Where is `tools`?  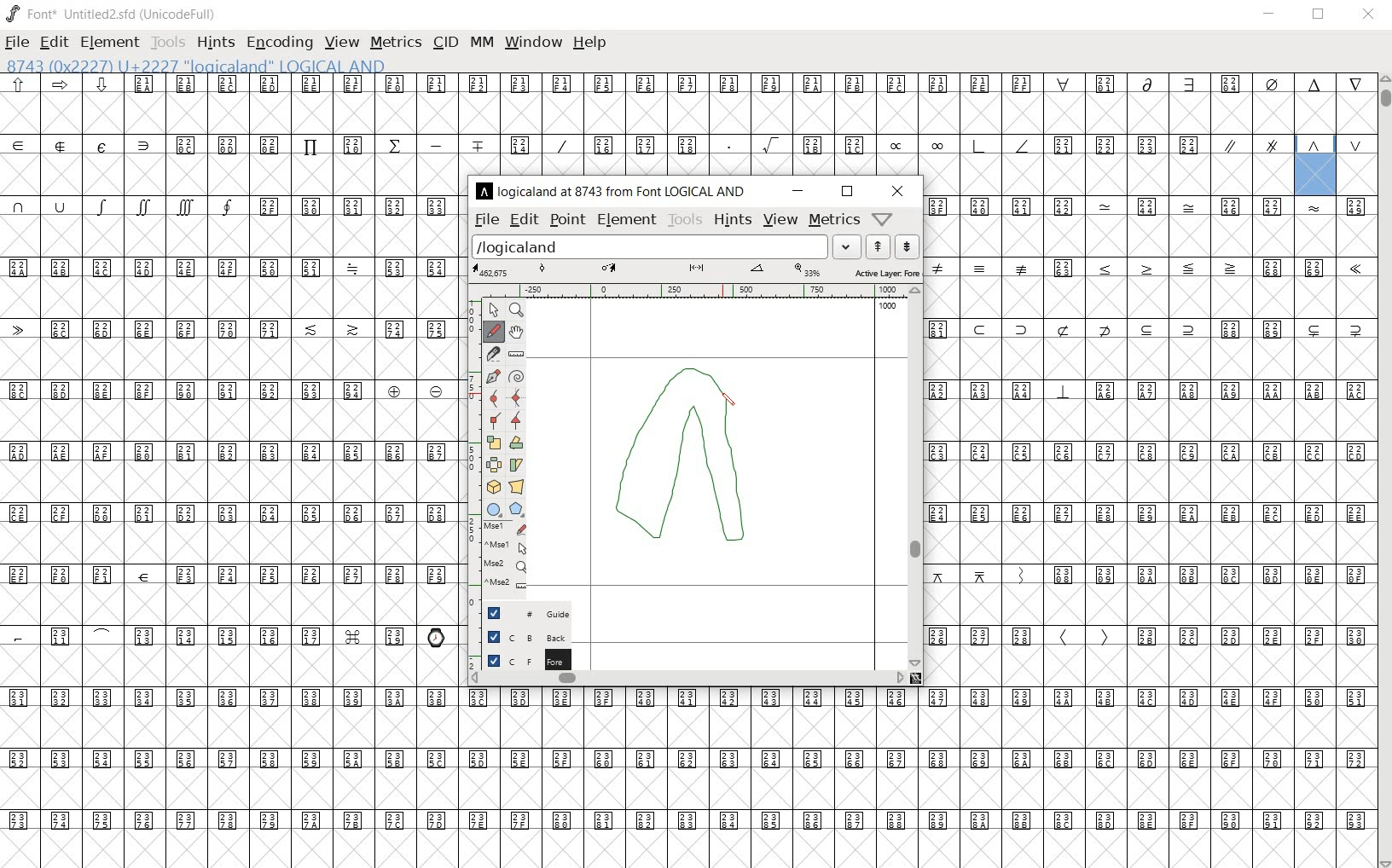
tools is located at coordinates (684, 219).